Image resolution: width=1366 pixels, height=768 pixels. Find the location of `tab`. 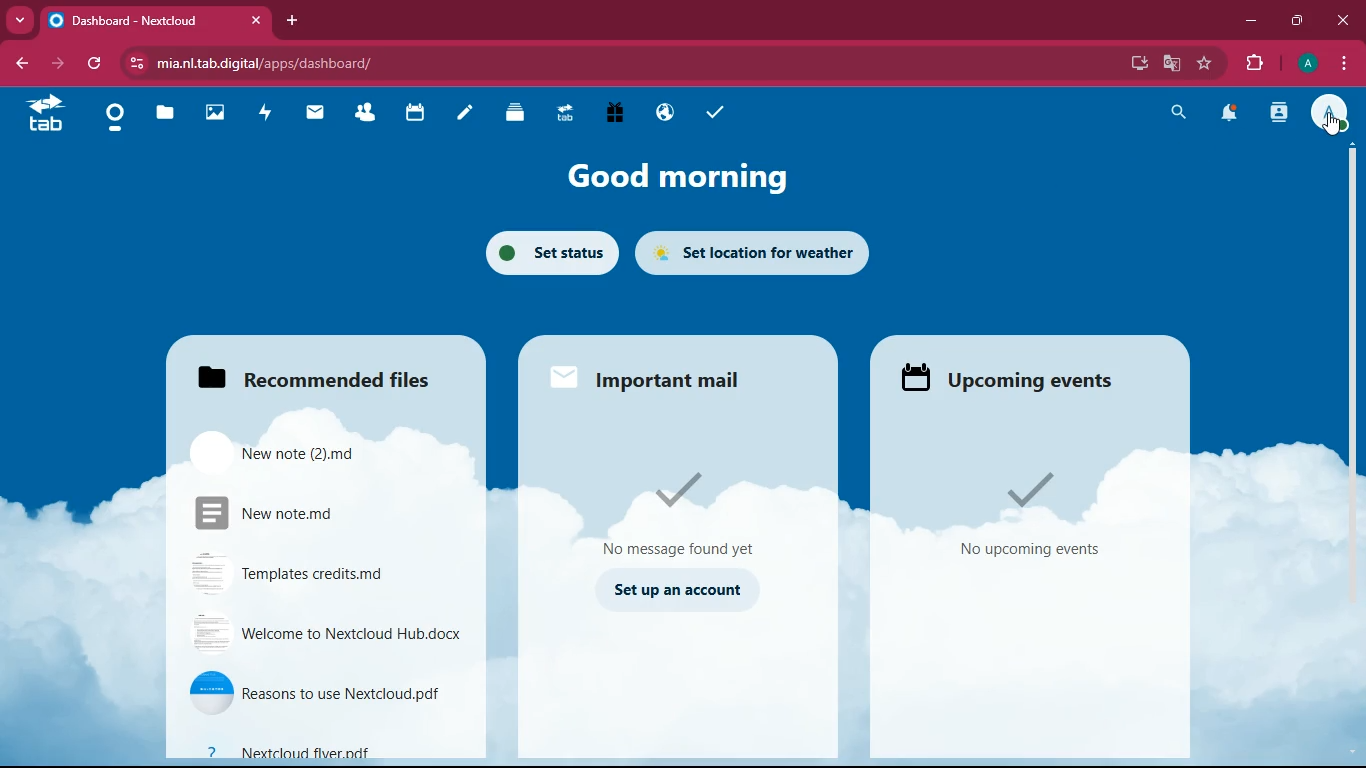

tab is located at coordinates (150, 20).